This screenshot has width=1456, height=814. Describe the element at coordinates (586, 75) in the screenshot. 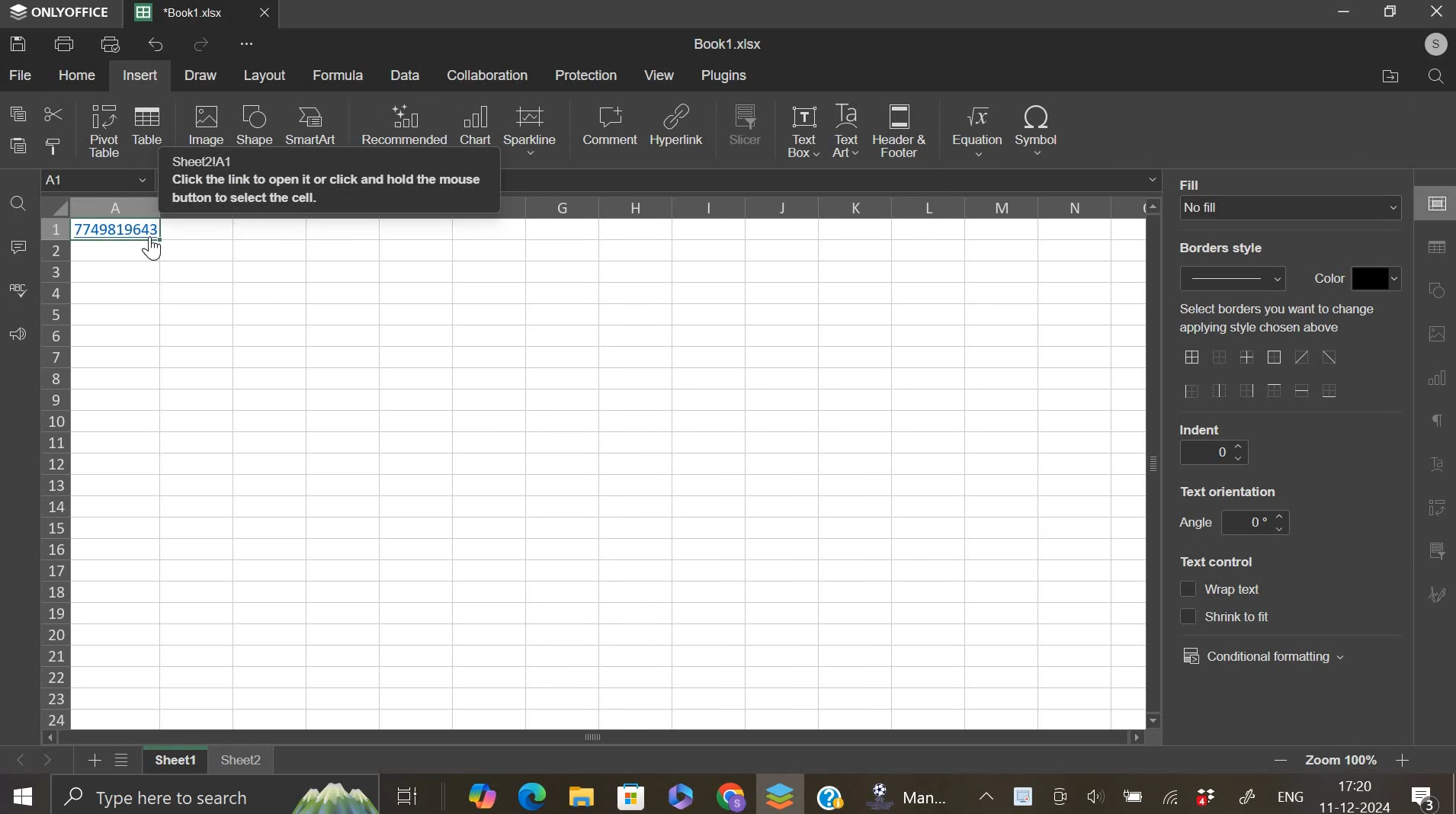

I see `protection` at that location.